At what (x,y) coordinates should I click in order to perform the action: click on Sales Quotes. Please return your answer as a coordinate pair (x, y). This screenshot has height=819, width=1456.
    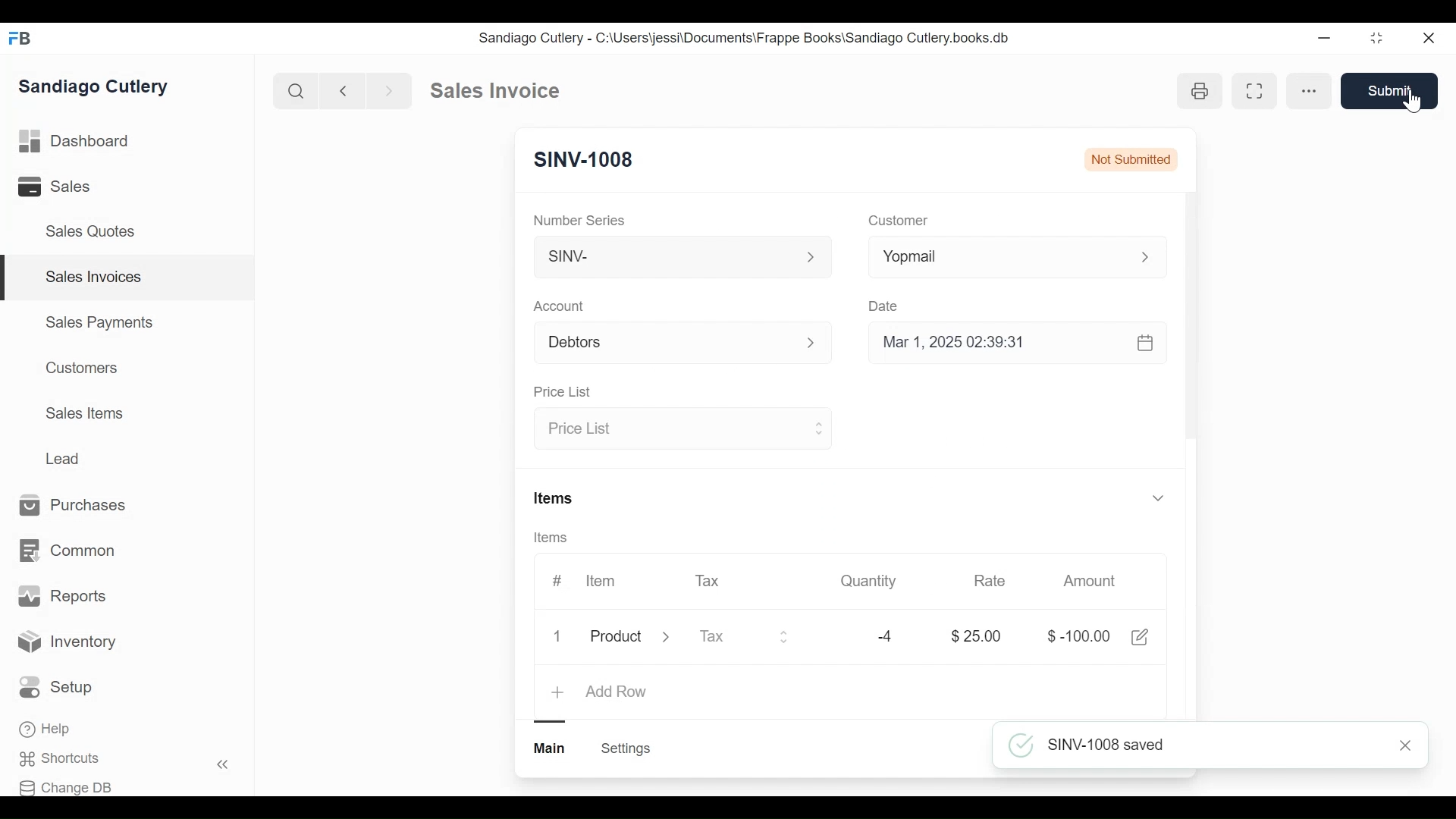
    Looking at the image, I should click on (93, 231).